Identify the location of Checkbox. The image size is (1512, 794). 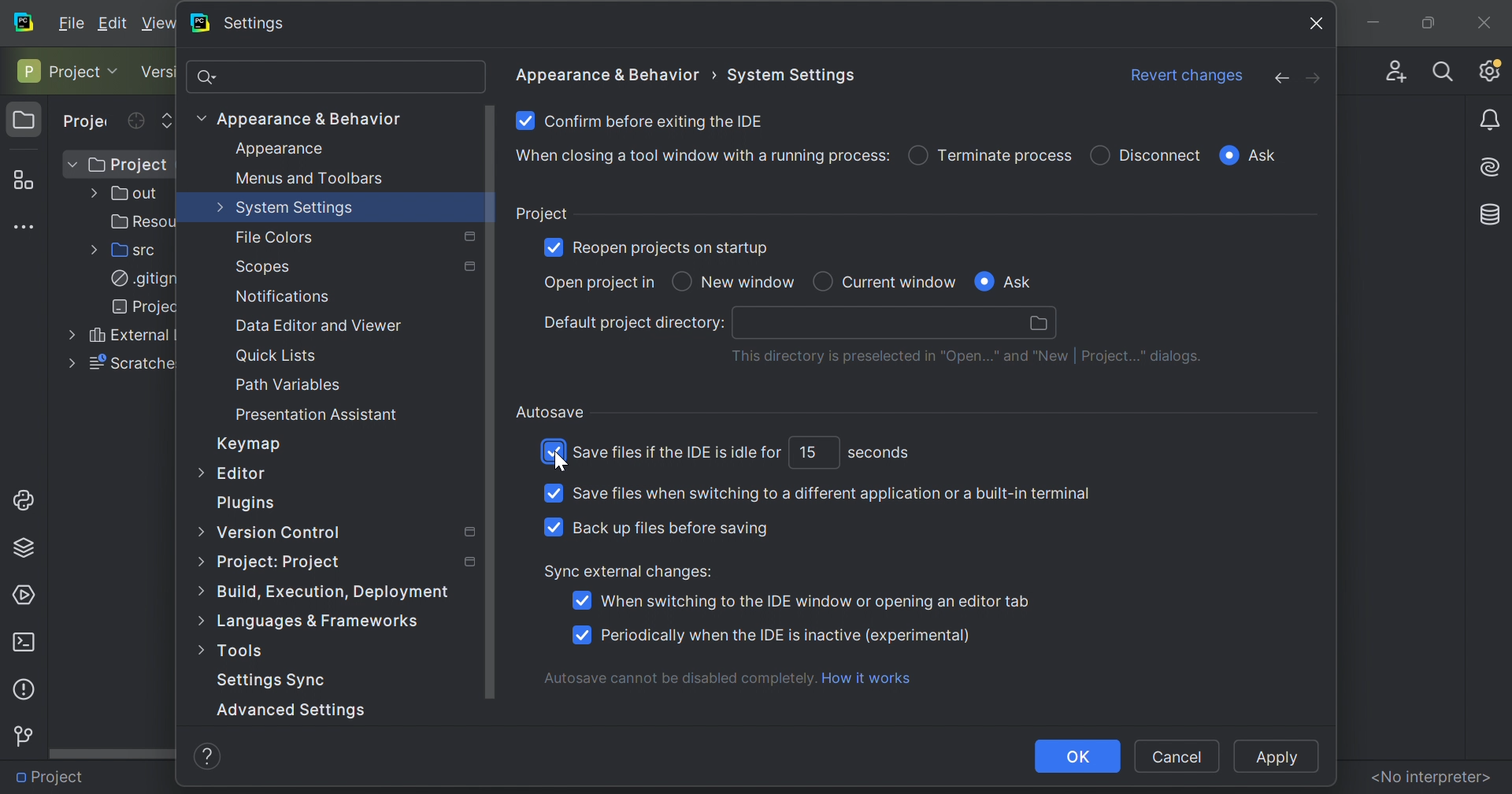
(1228, 155).